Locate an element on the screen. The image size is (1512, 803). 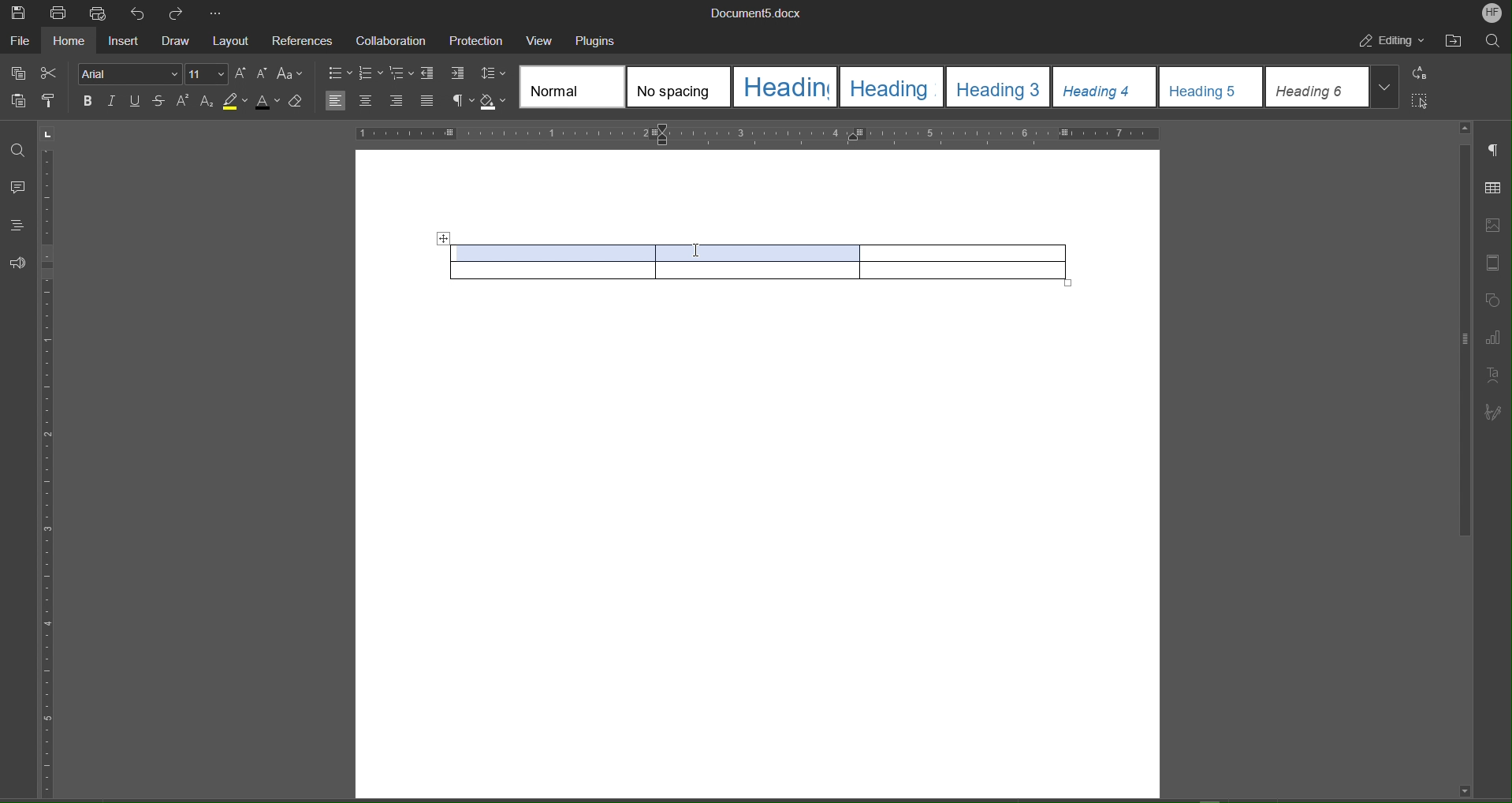
heading 1 is located at coordinates (786, 87).